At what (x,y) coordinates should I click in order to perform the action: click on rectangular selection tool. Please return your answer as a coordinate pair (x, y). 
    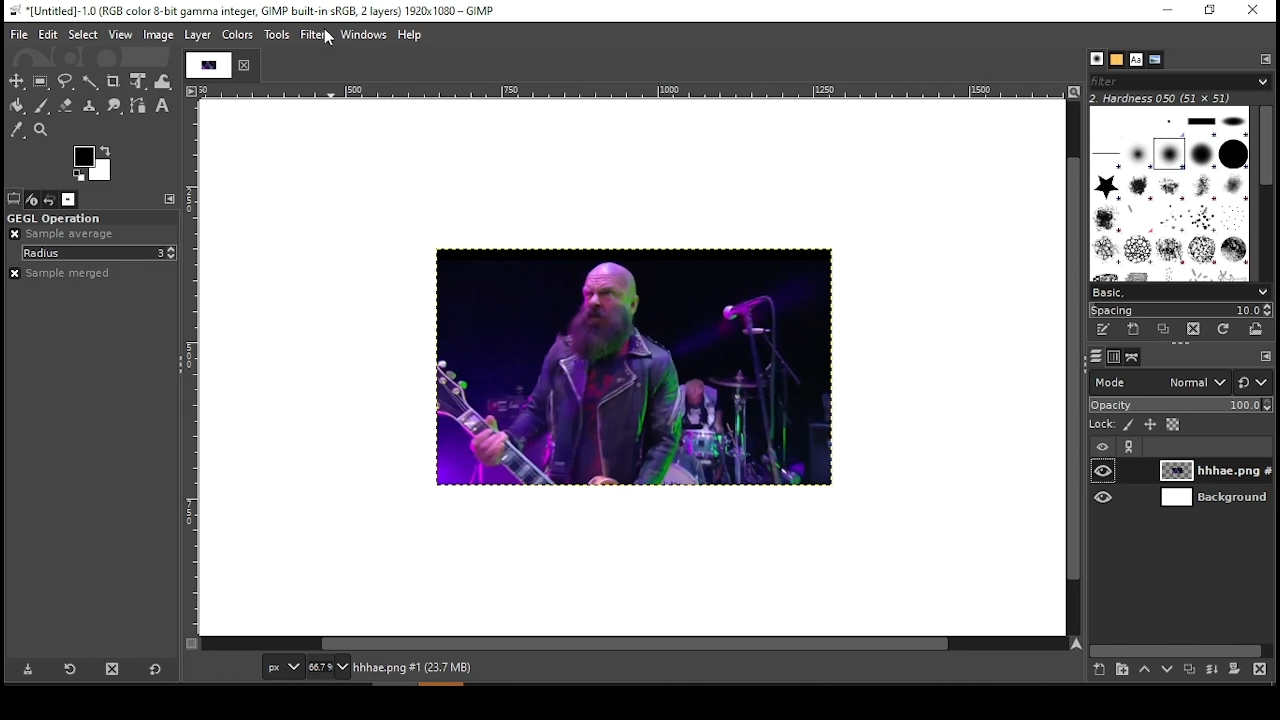
    Looking at the image, I should click on (40, 81).